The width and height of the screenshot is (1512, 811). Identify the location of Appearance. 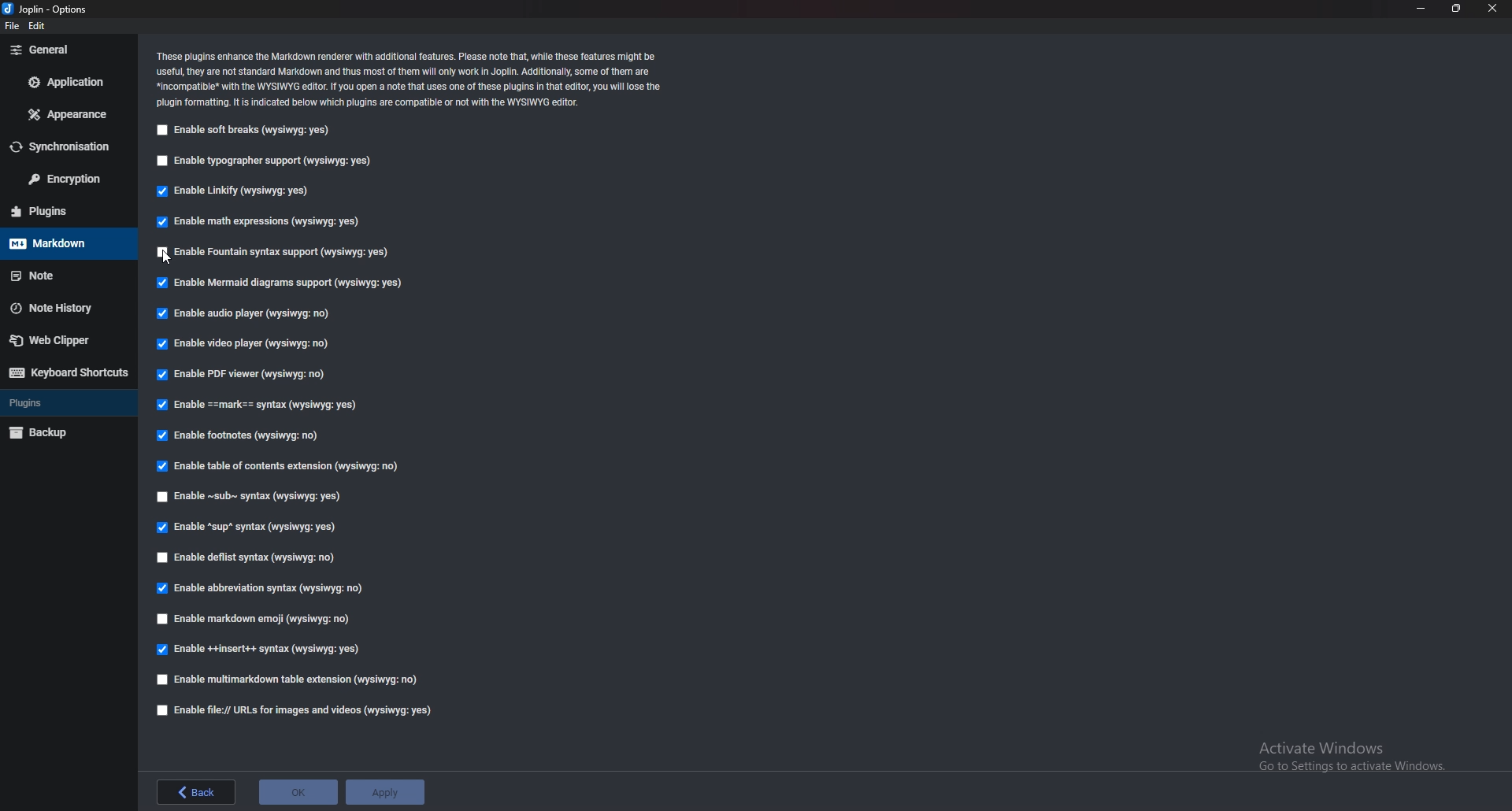
(64, 114).